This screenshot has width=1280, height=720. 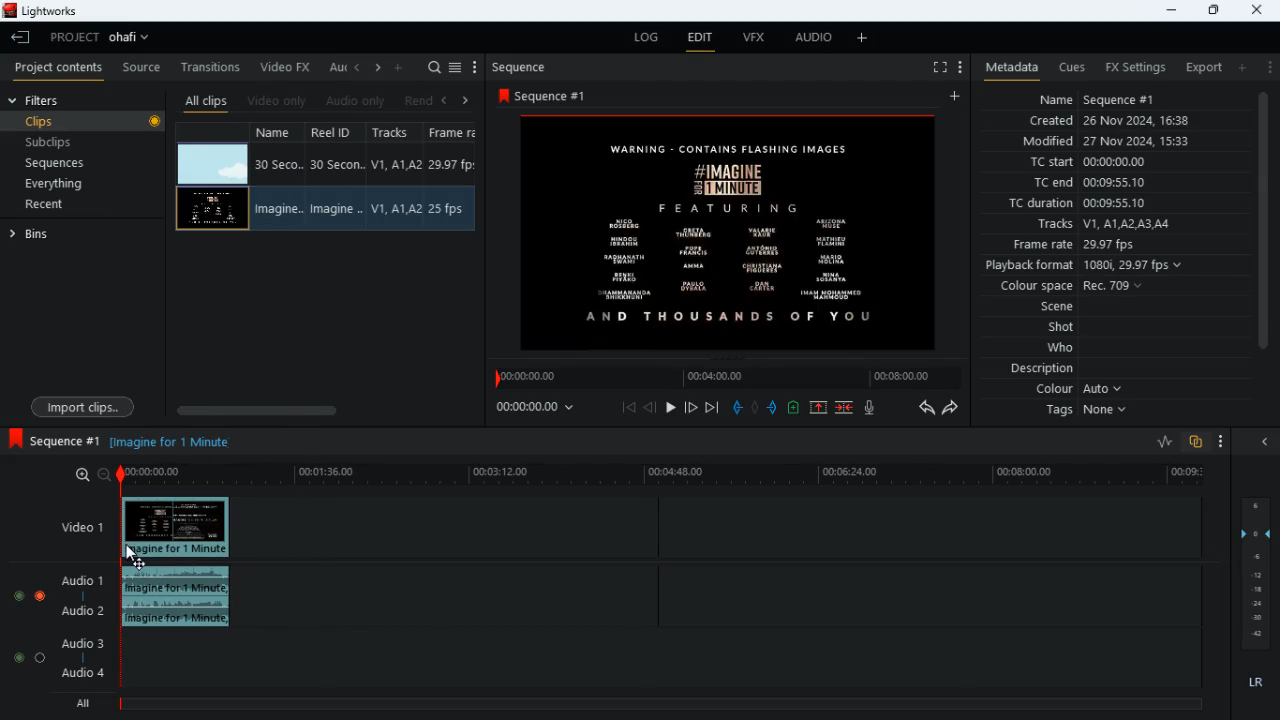 What do you see at coordinates (178, 443) in the screenshot?
I see `Imagine for 1 Minute` at bounding box center [178, 443].